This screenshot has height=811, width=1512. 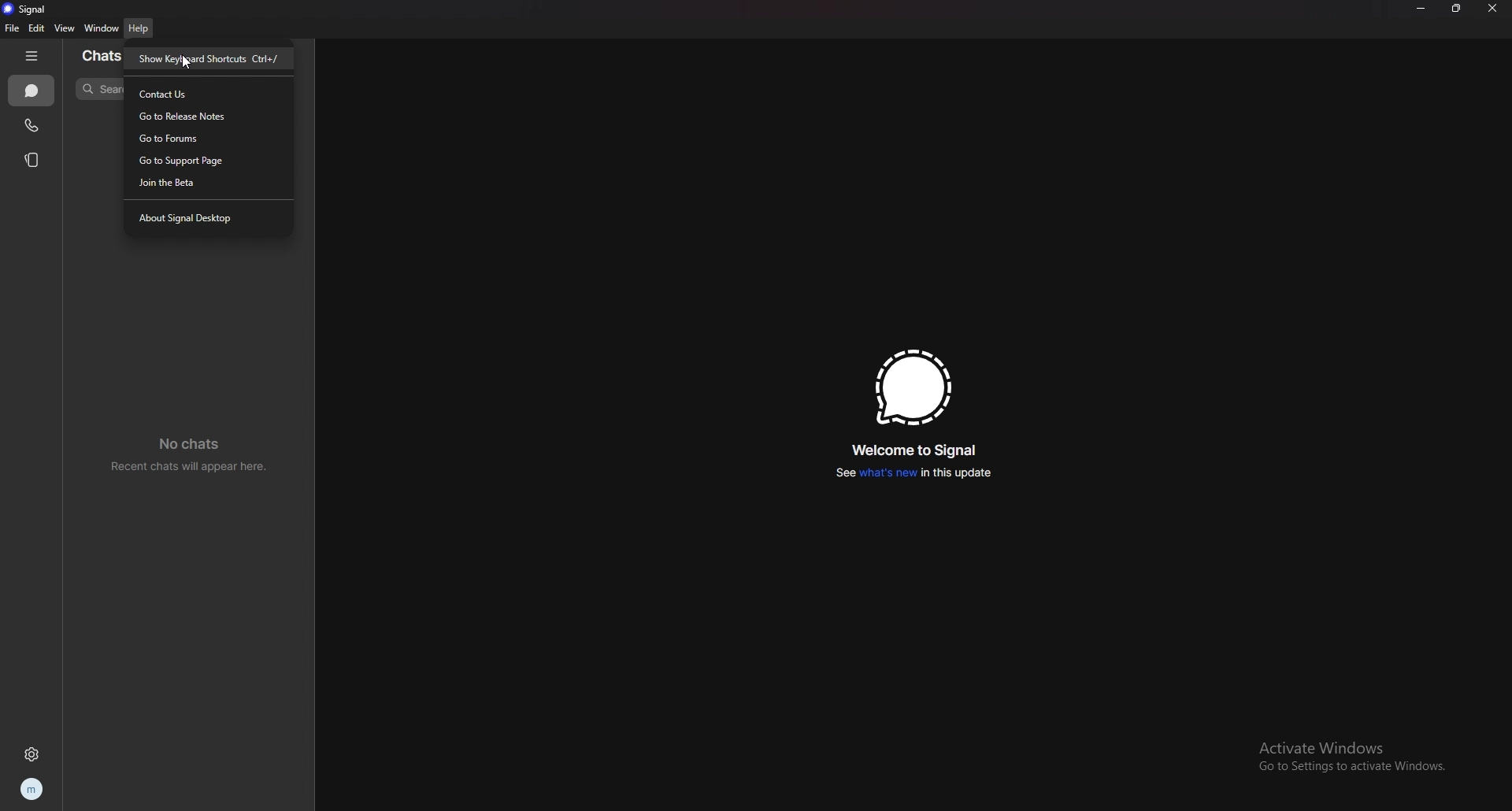 I want to click on chats, so click(x=31, y=91).